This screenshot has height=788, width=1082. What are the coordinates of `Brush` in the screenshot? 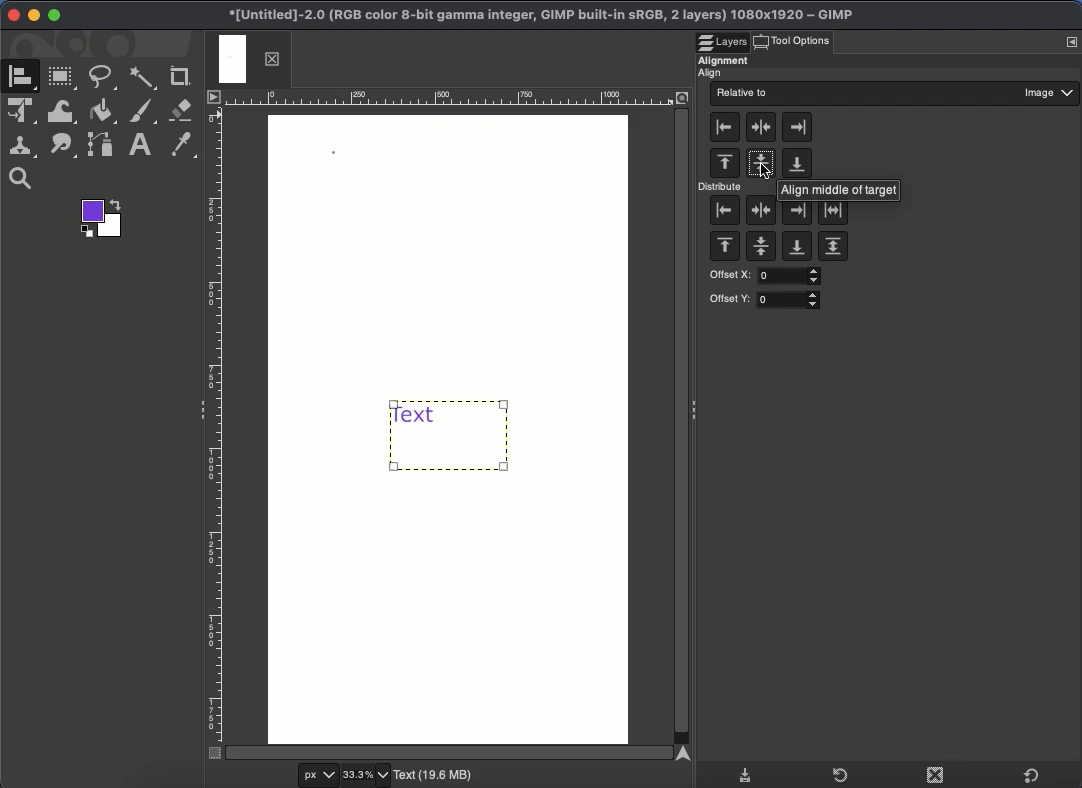 It's located at (143, 113).